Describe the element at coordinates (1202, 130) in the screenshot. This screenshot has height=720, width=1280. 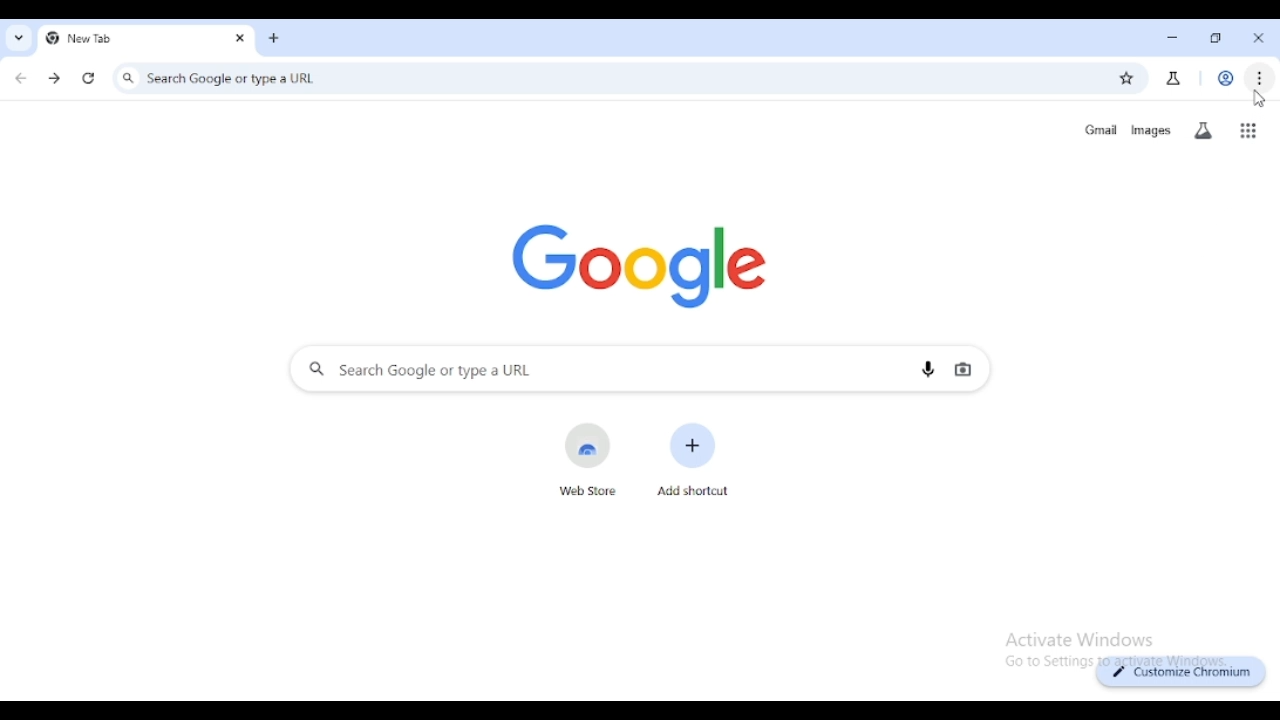
I see `search labs` at that location.